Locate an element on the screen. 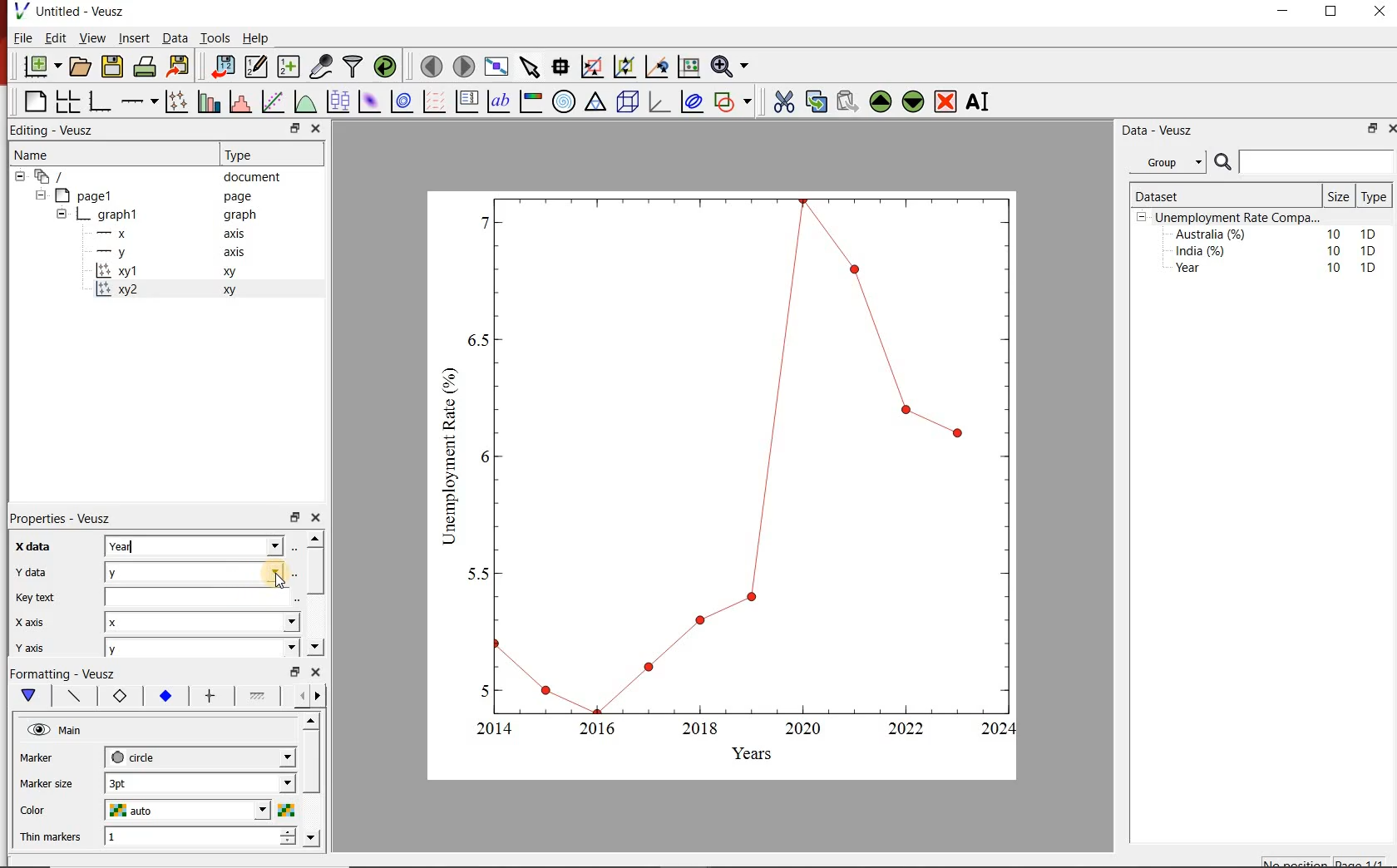 The image size is (1397, 868). move the widgets up is located at coordinates (881, 101).